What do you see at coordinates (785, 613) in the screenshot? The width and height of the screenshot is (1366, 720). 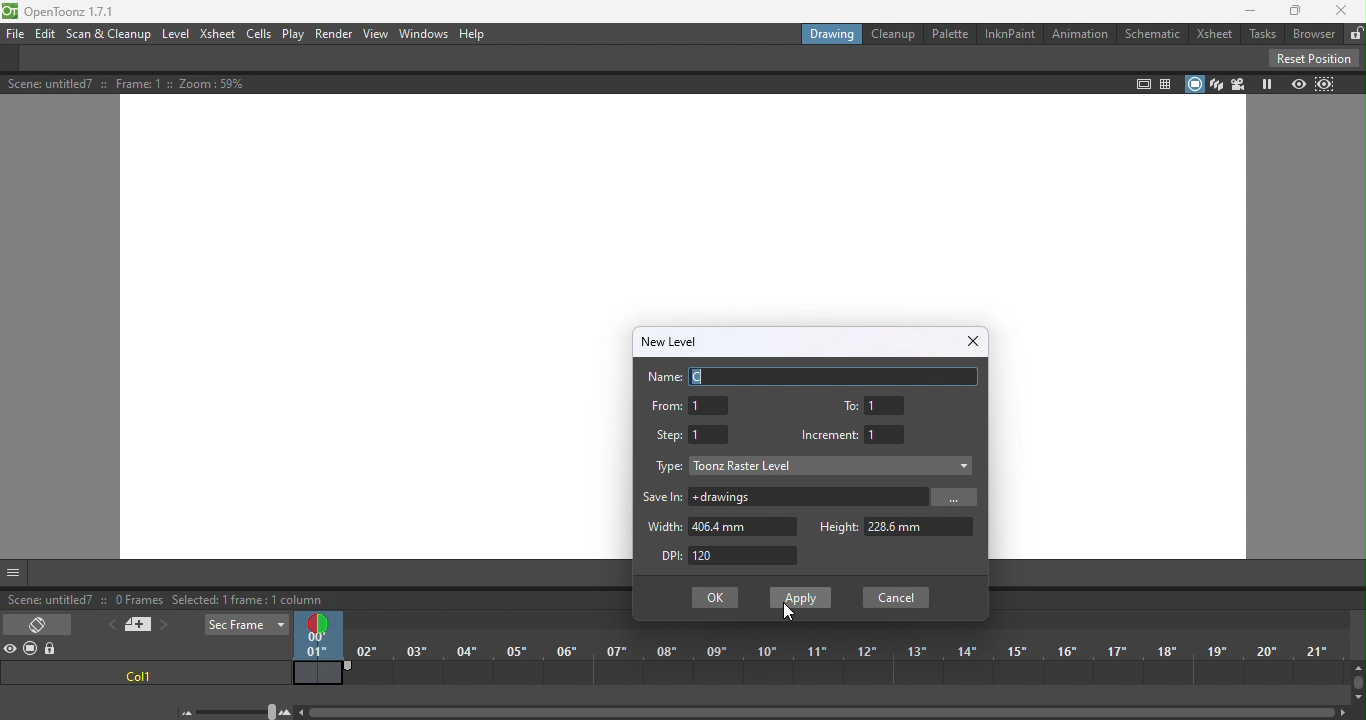 I see `cursor` at bounding box center [785, 613].